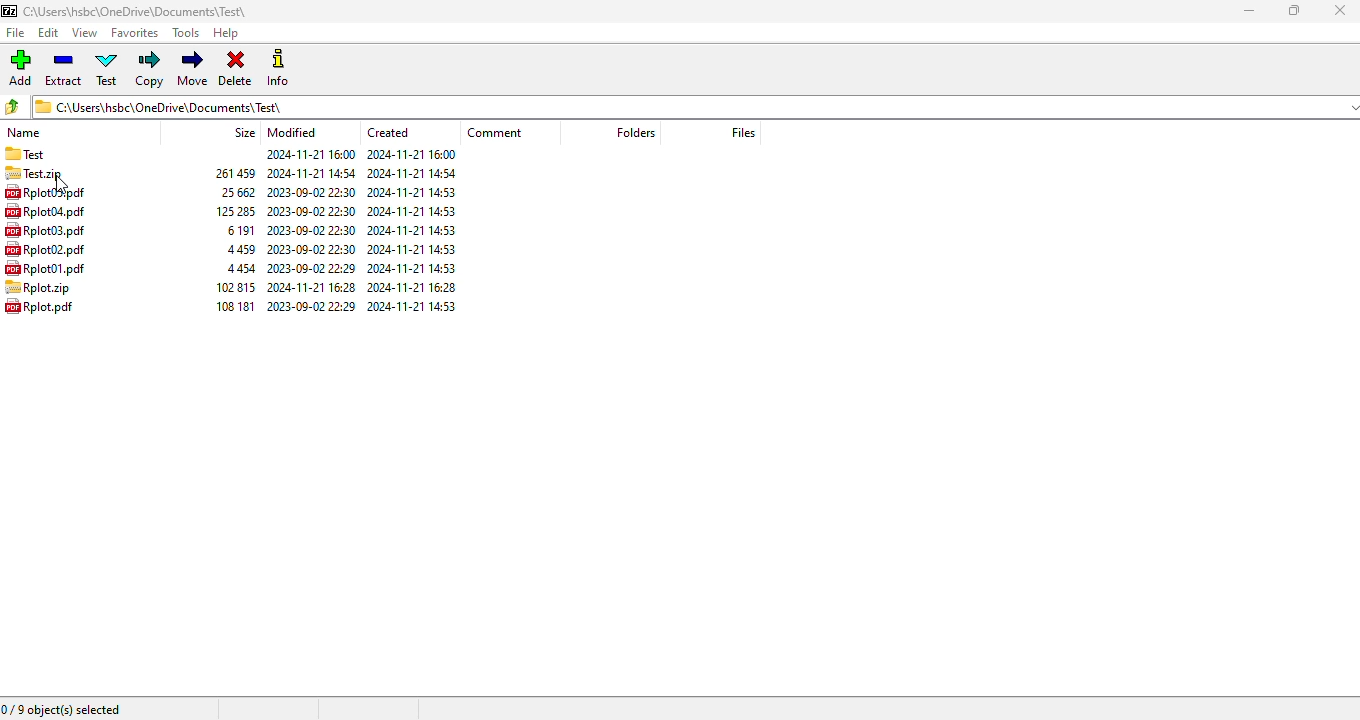 The width and height of the screenshot is (1360, 720). What do you see at coordinates (234, 305) in the screenshot?
I see `size` at bounding box center [234, 305].